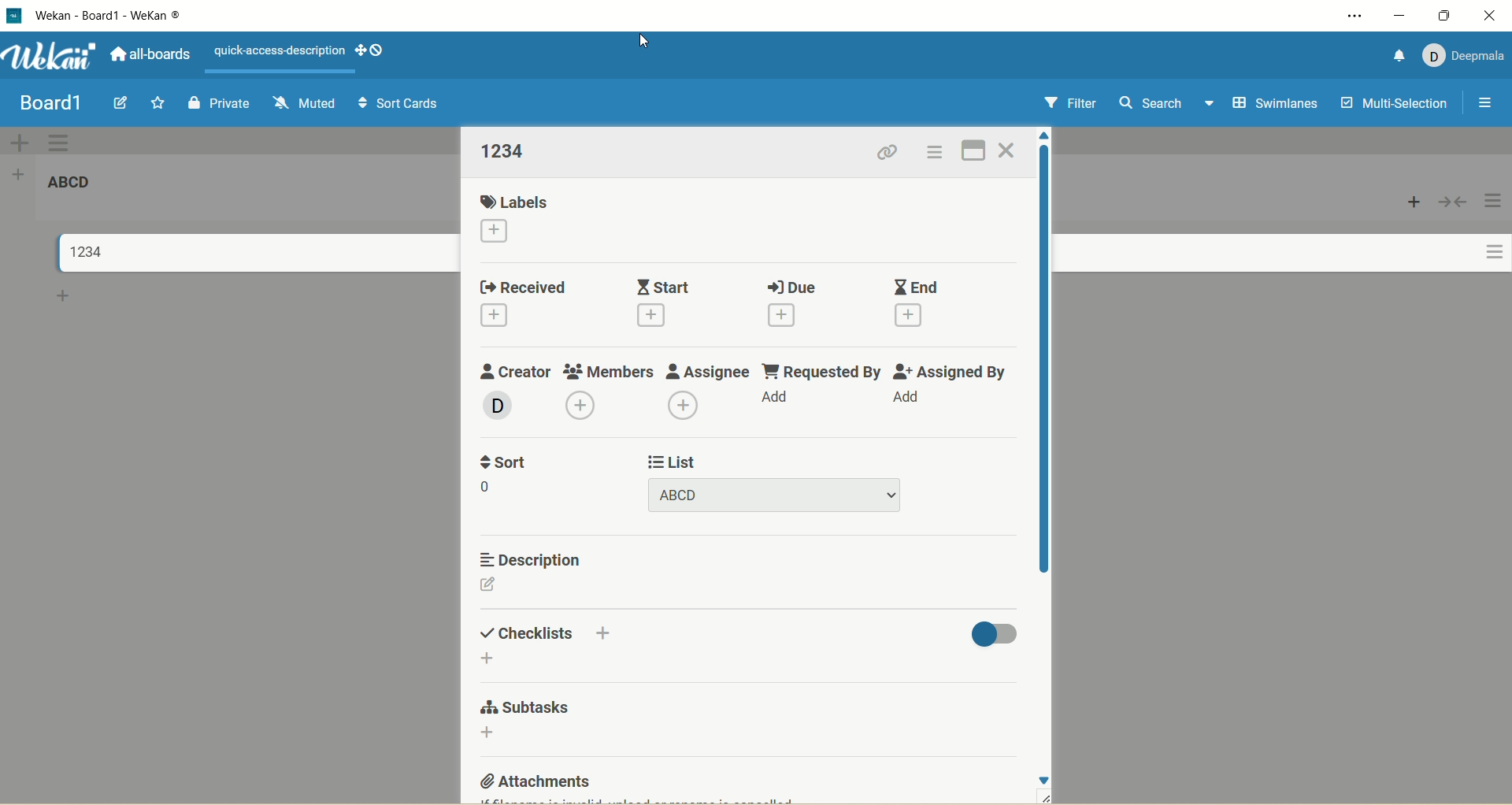  I want to click on add list, so click(20, 176).